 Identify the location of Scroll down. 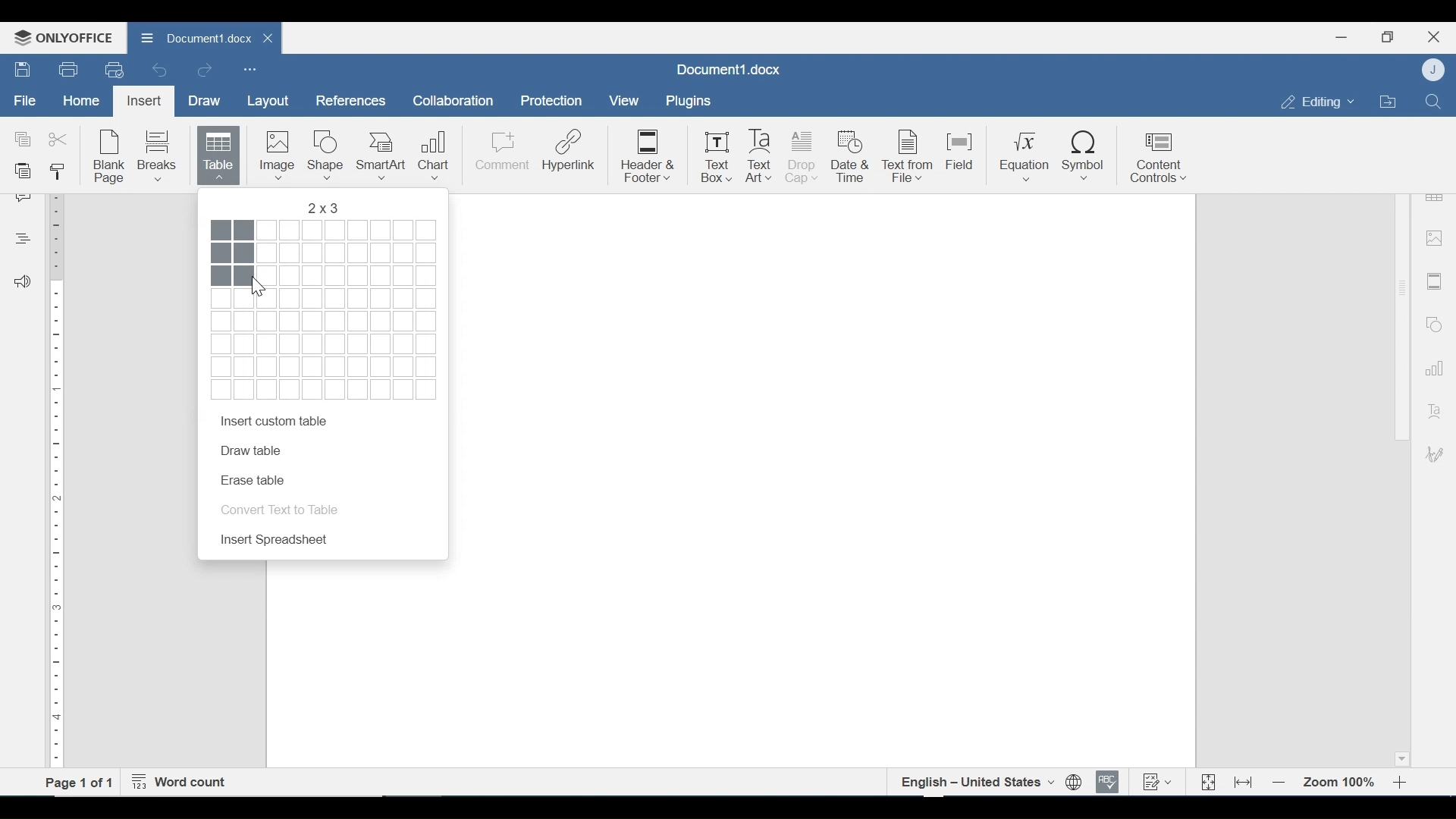
(1401, 757).